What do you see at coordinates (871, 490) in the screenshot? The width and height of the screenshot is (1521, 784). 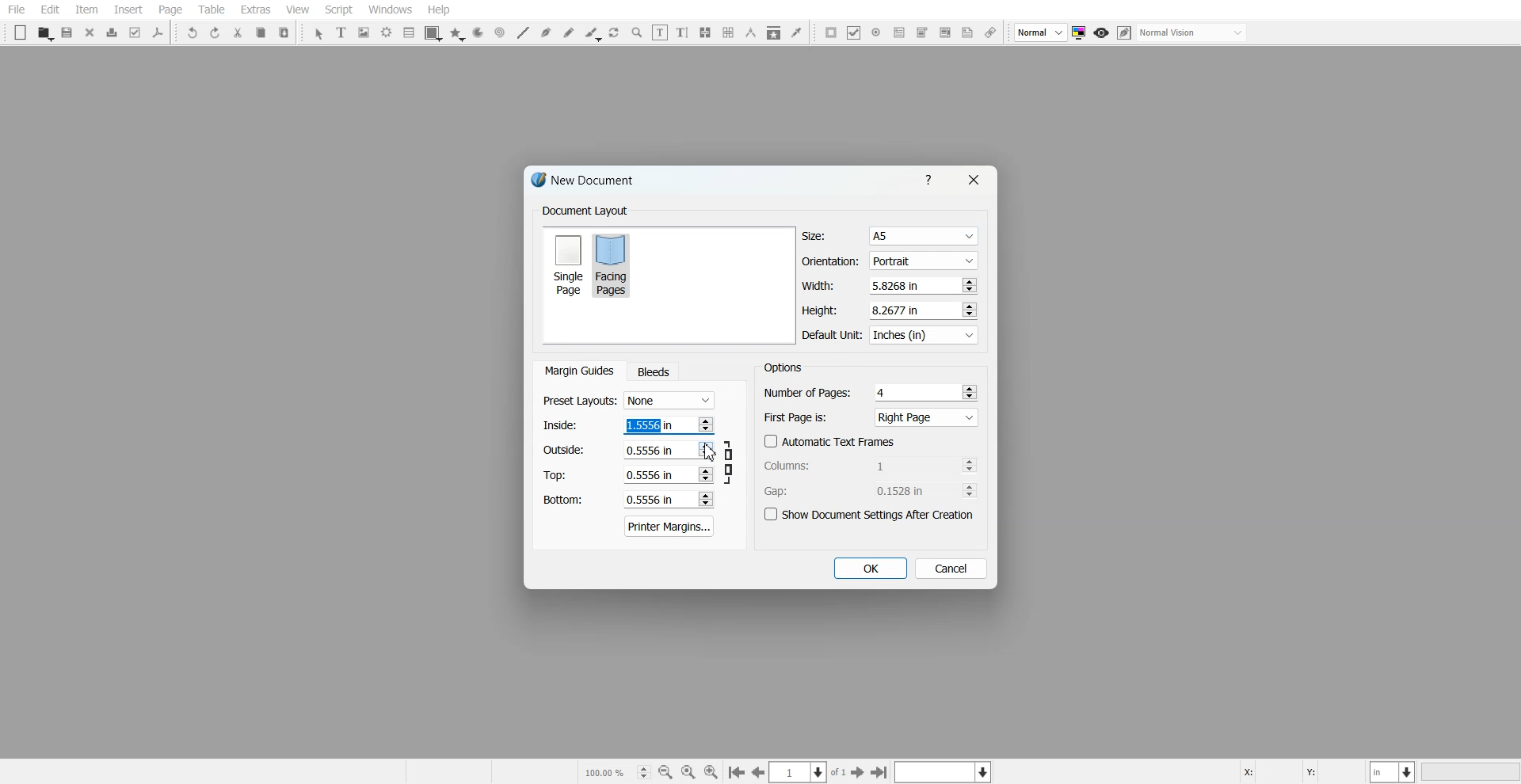 I see `Gap Adjuster` at bounding box center [871, 490].